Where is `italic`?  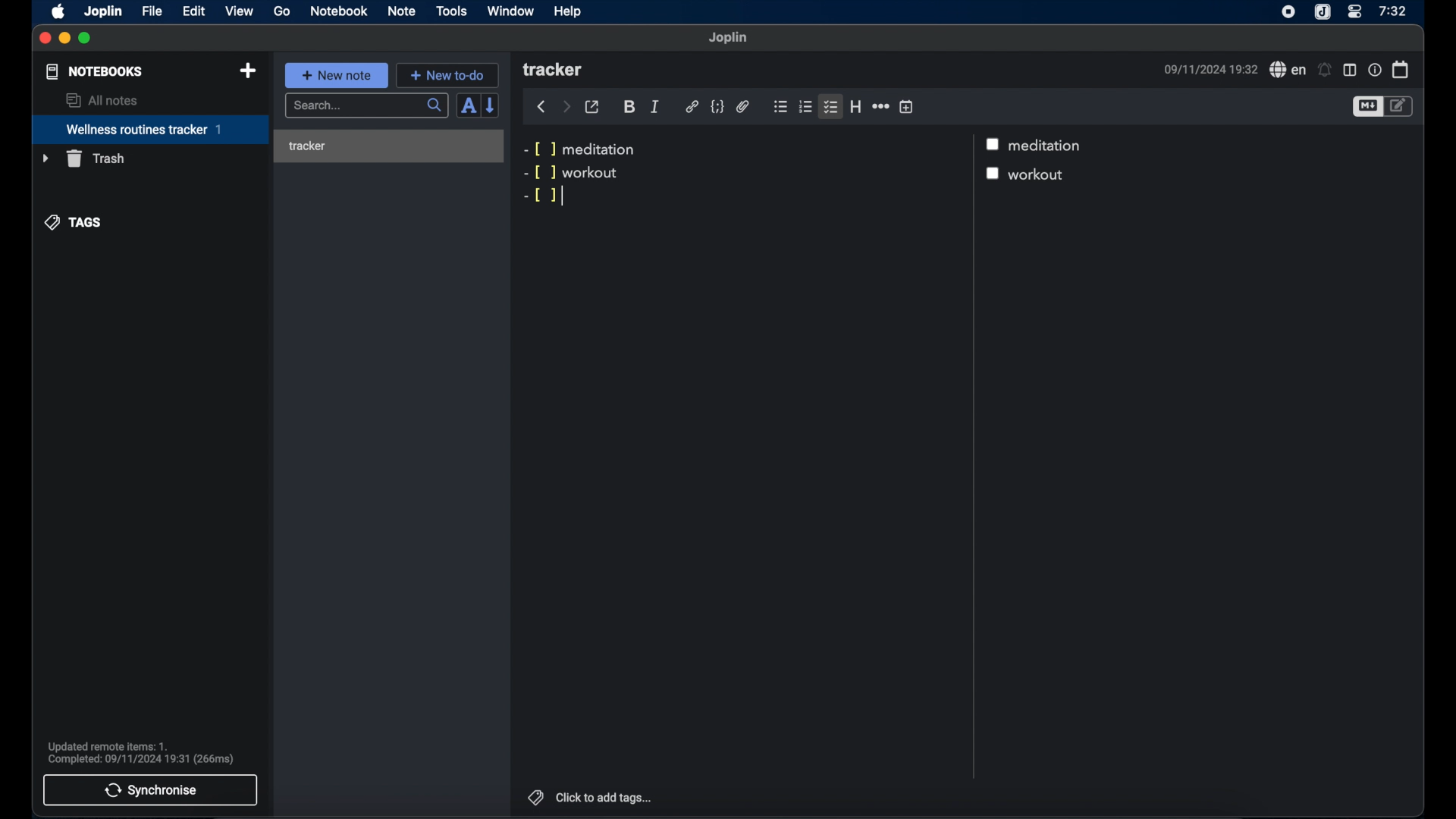
italic is located at coordinates (655, 107).